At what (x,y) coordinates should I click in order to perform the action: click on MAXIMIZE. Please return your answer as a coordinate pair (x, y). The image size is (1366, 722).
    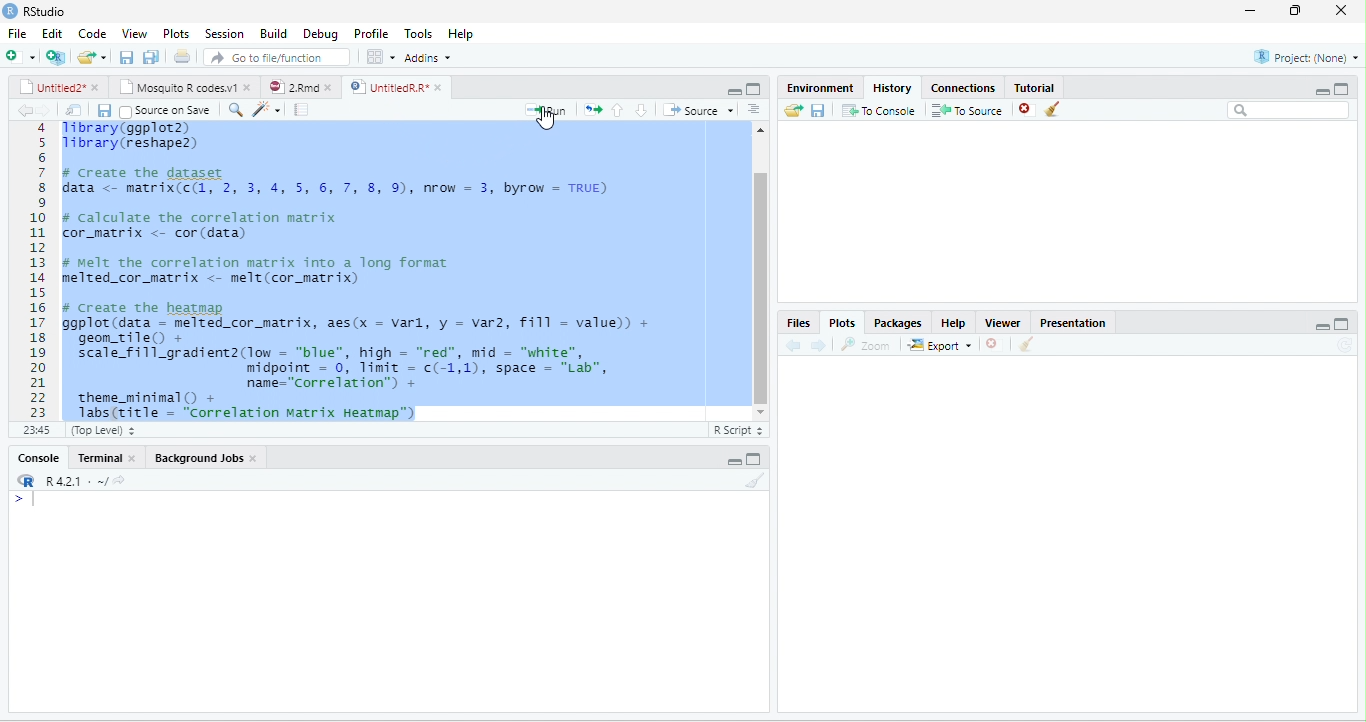
    Looking at the image, I should click on (1349, 326).